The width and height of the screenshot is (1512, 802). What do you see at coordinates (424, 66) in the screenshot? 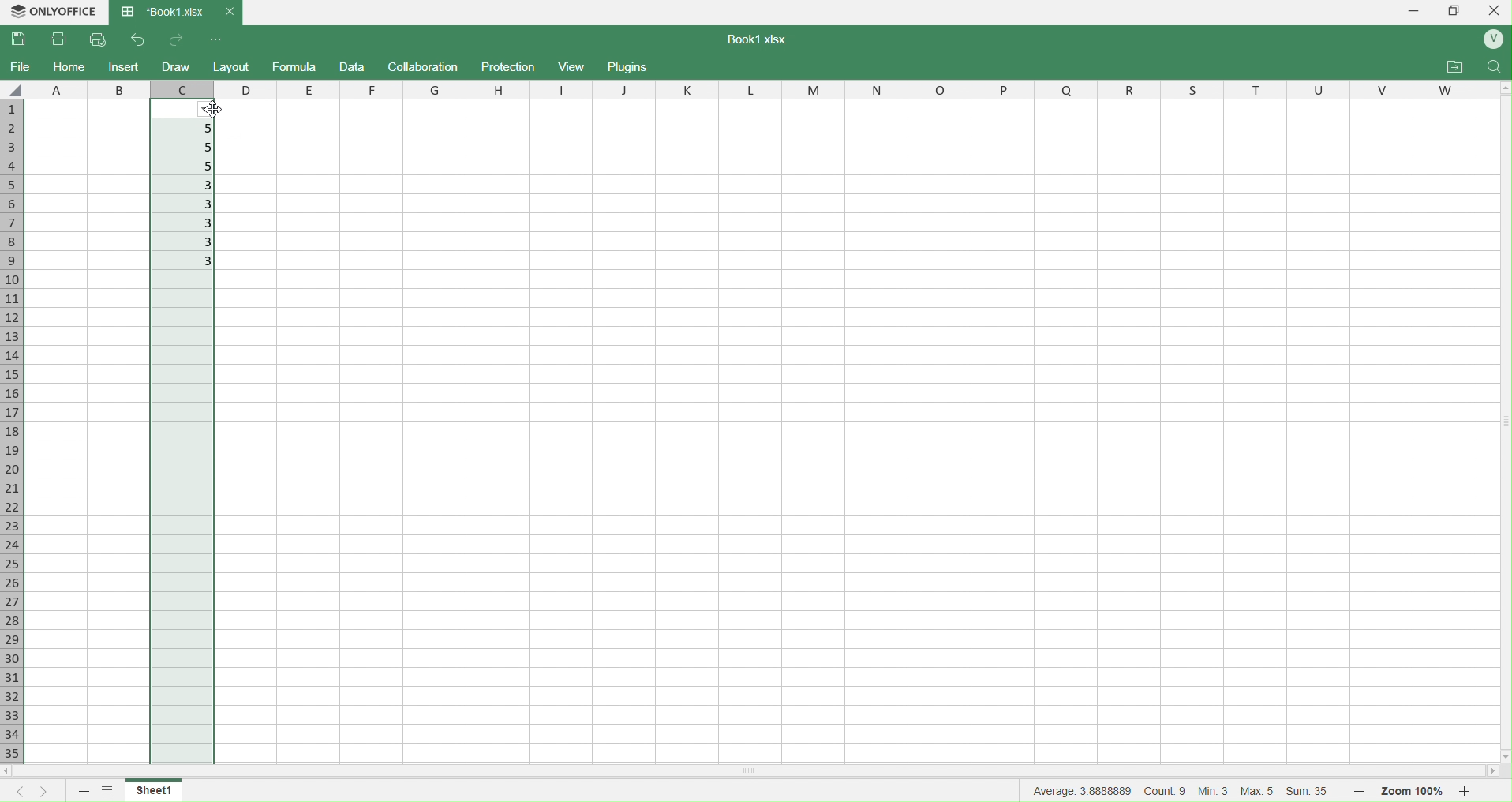
I see `Collaboration` at bounding box center [424, 66].